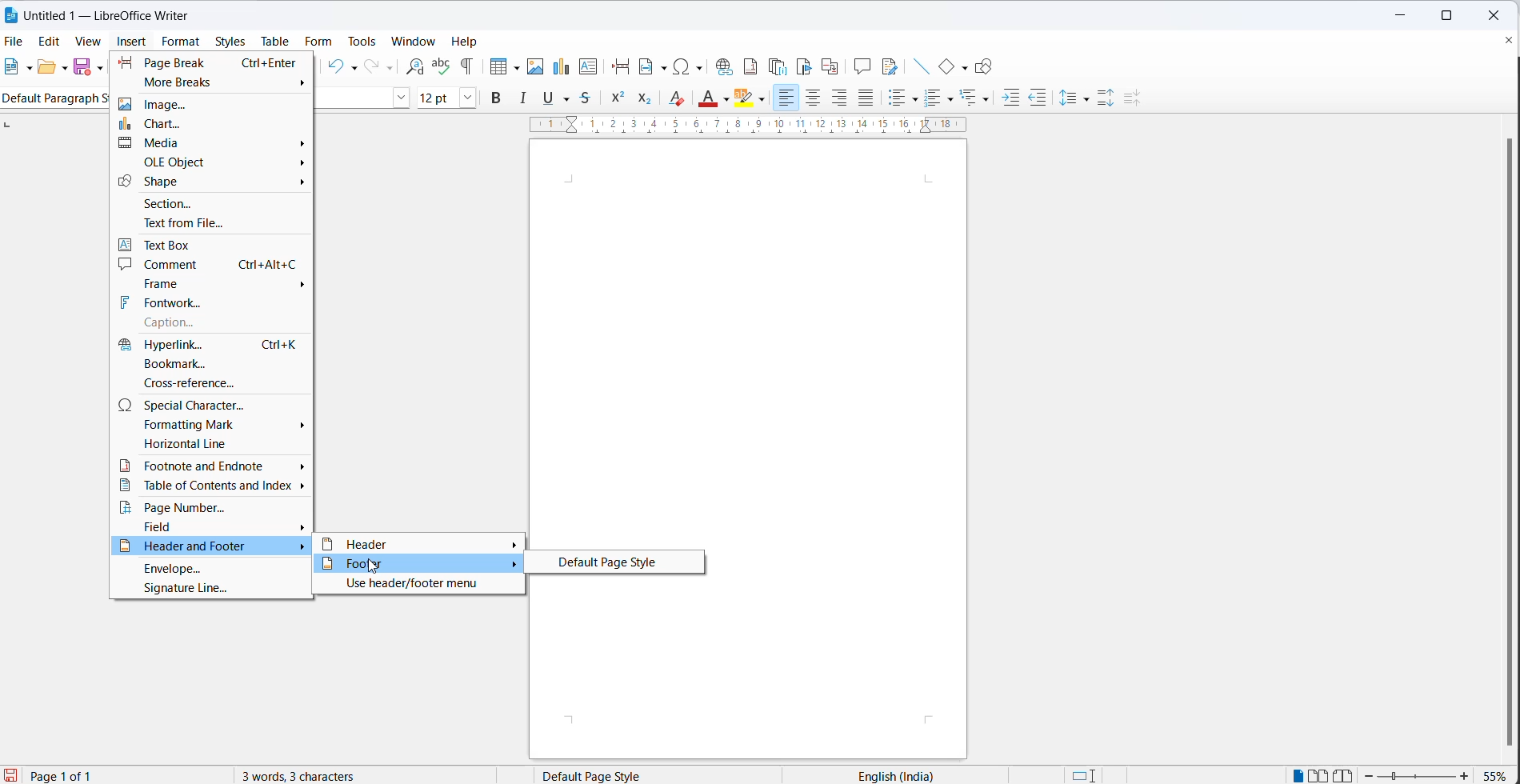 This screenshot has width=1520, height=784. What do you see at coordinates (311, 775) in the screenshot?
I see `3 words, 3 characters ` at bounding box center [311, 775].